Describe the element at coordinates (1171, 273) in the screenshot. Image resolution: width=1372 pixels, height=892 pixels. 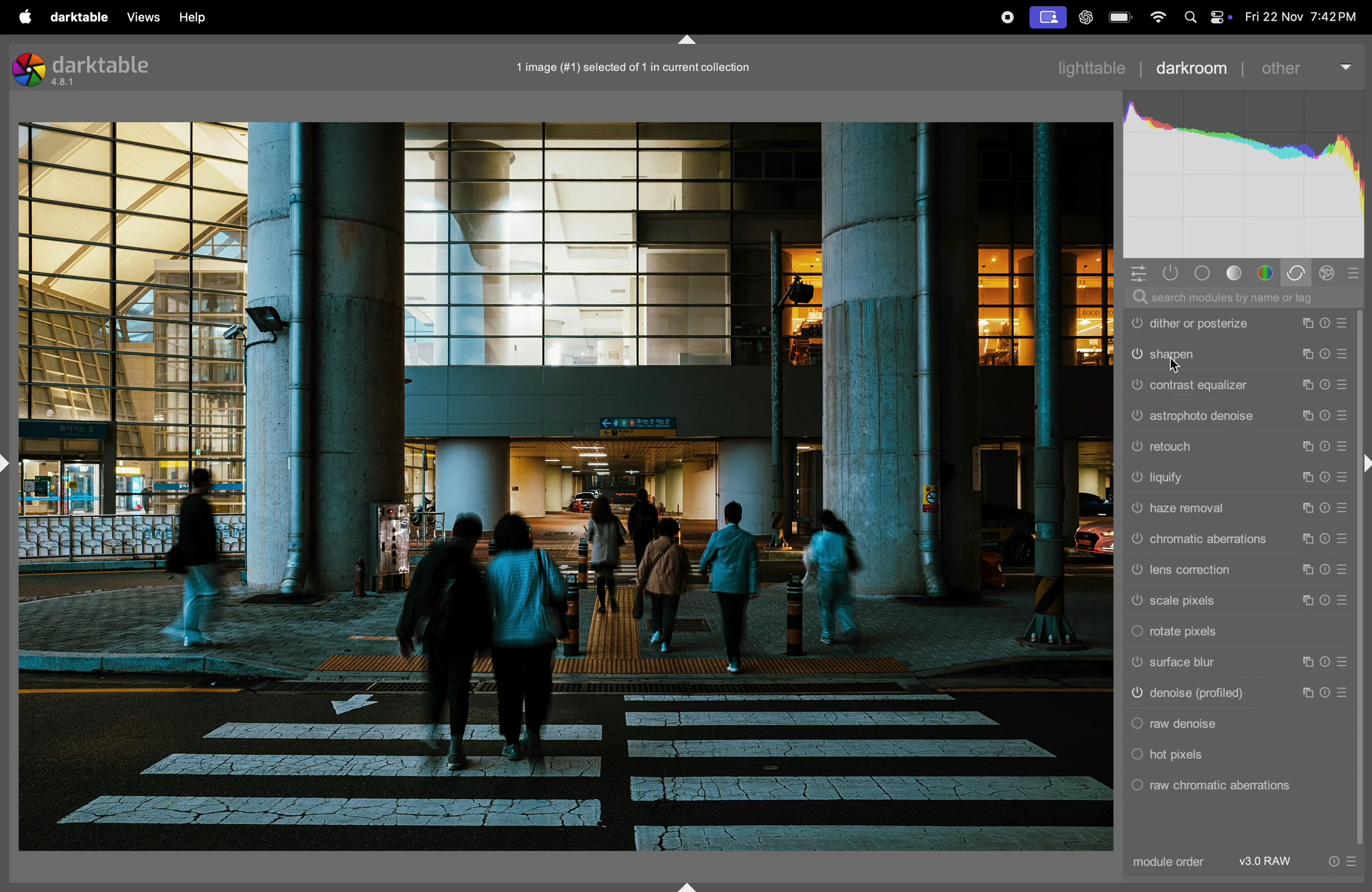
I see `show only active modules` at that location.